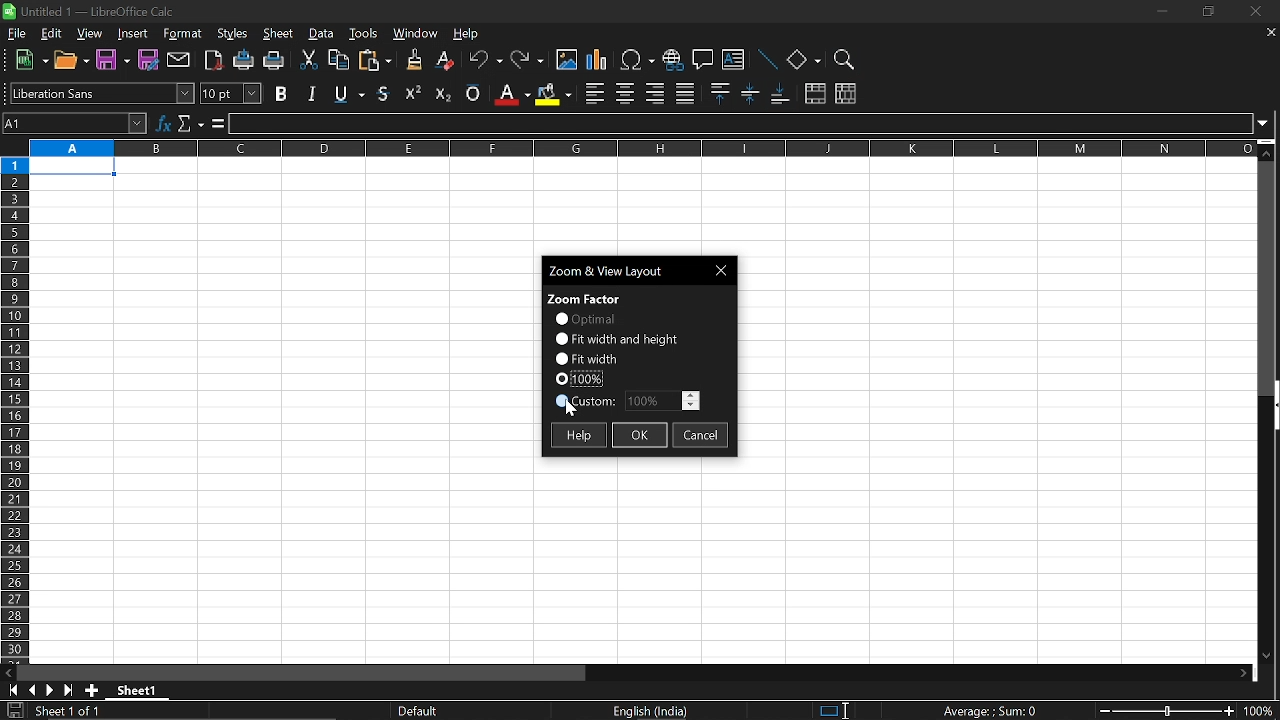 The height and width of the screenshot is (720, 1280). I want to click on help, so click(468, 36).